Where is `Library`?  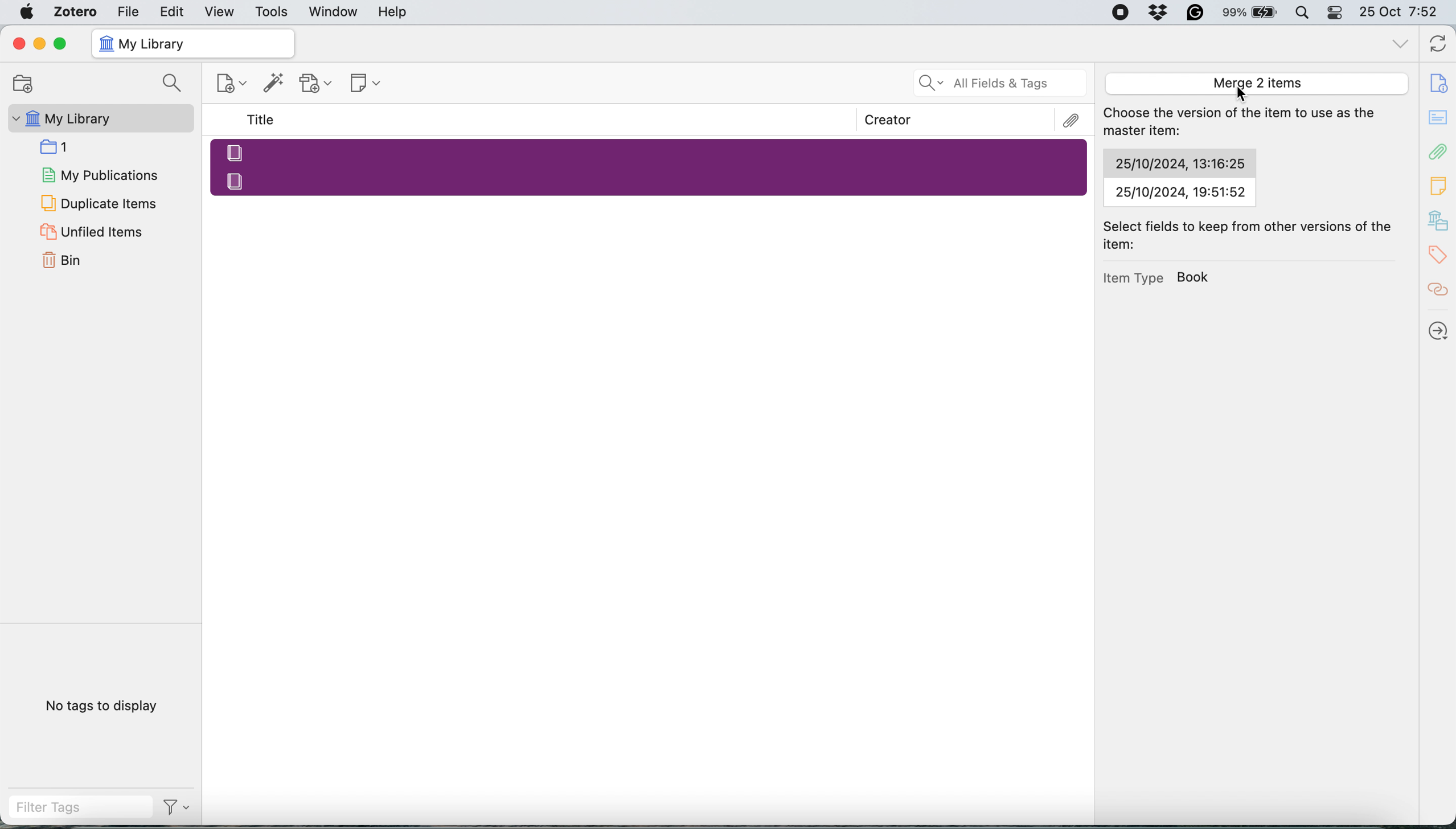
Library is located at coordinates (1439, 221).